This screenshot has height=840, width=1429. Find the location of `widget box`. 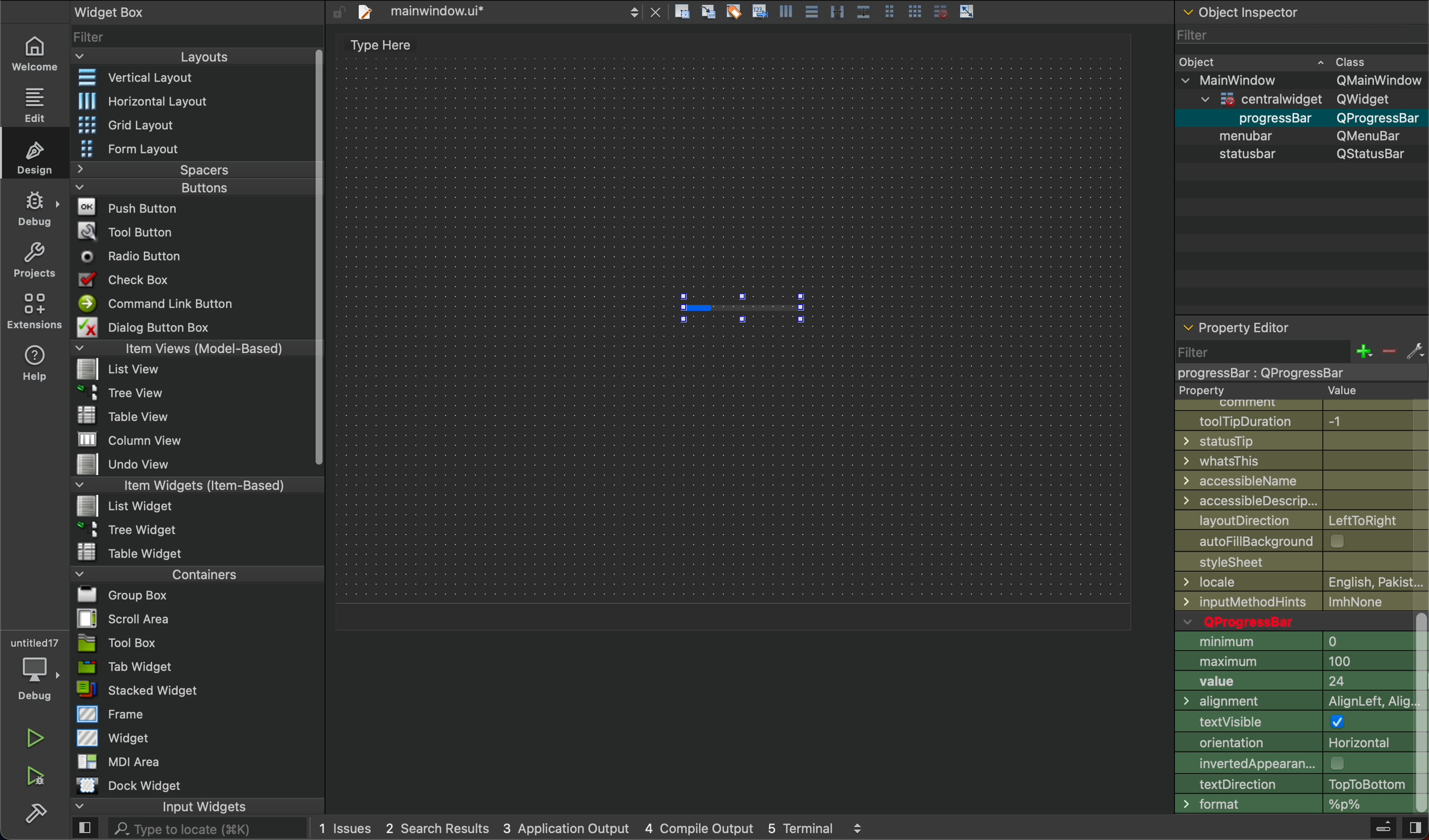

widget box is located at coordinates (143, 11).